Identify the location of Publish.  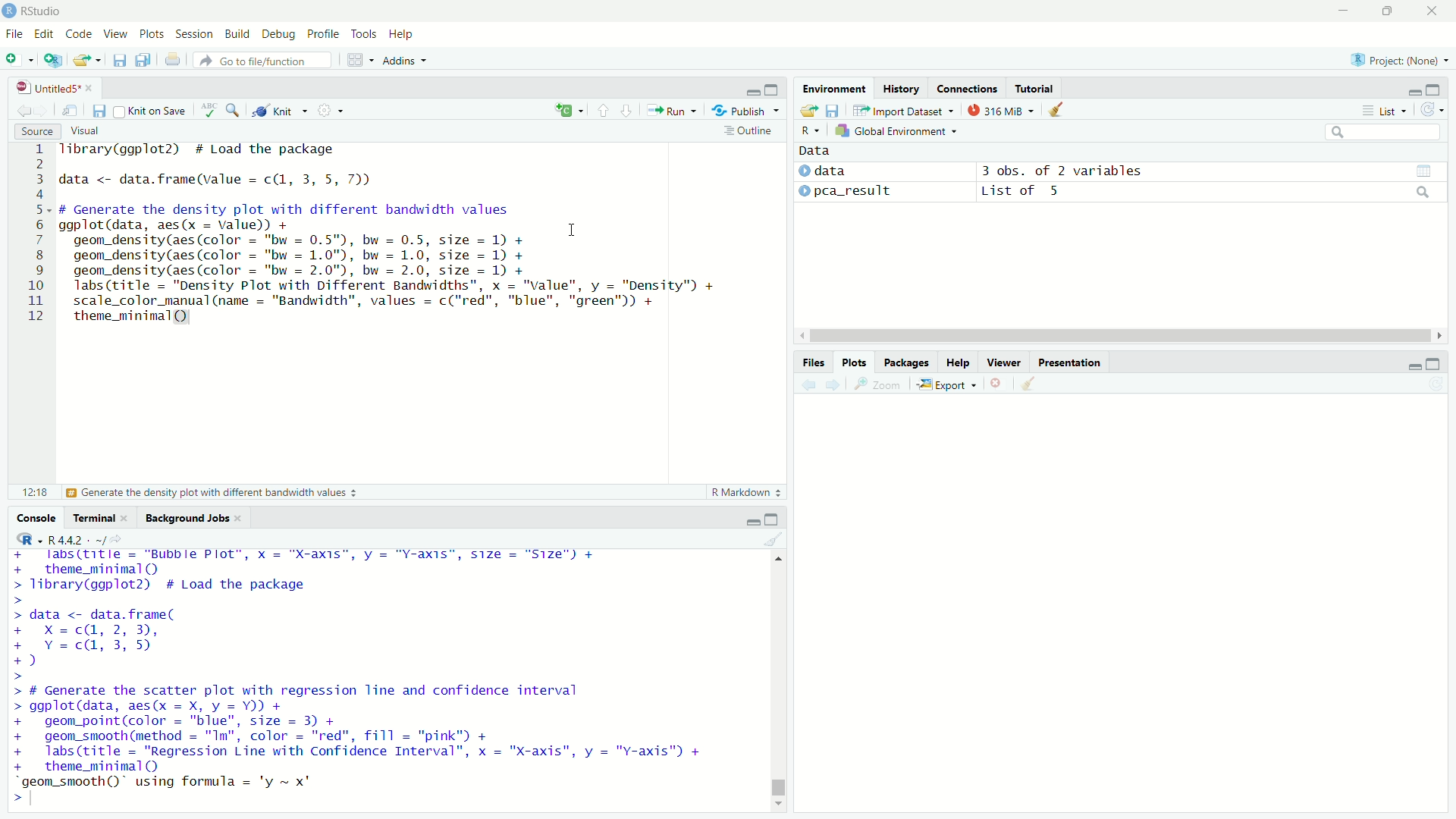
(745, 109).